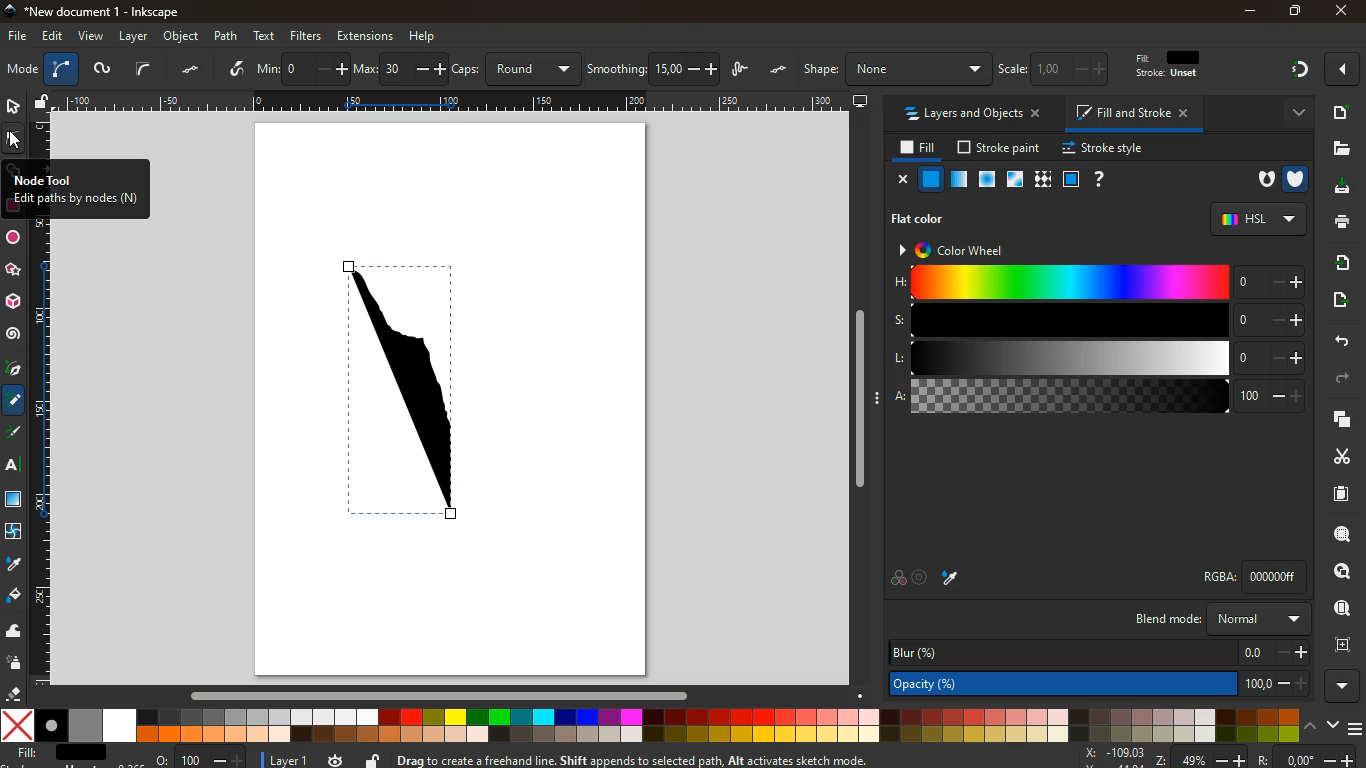 Image resolution: width=1366 pixels, height=768 pixels. Describe the element at coordinates (18, 663) in the screenshot. I see `spray` at that location.